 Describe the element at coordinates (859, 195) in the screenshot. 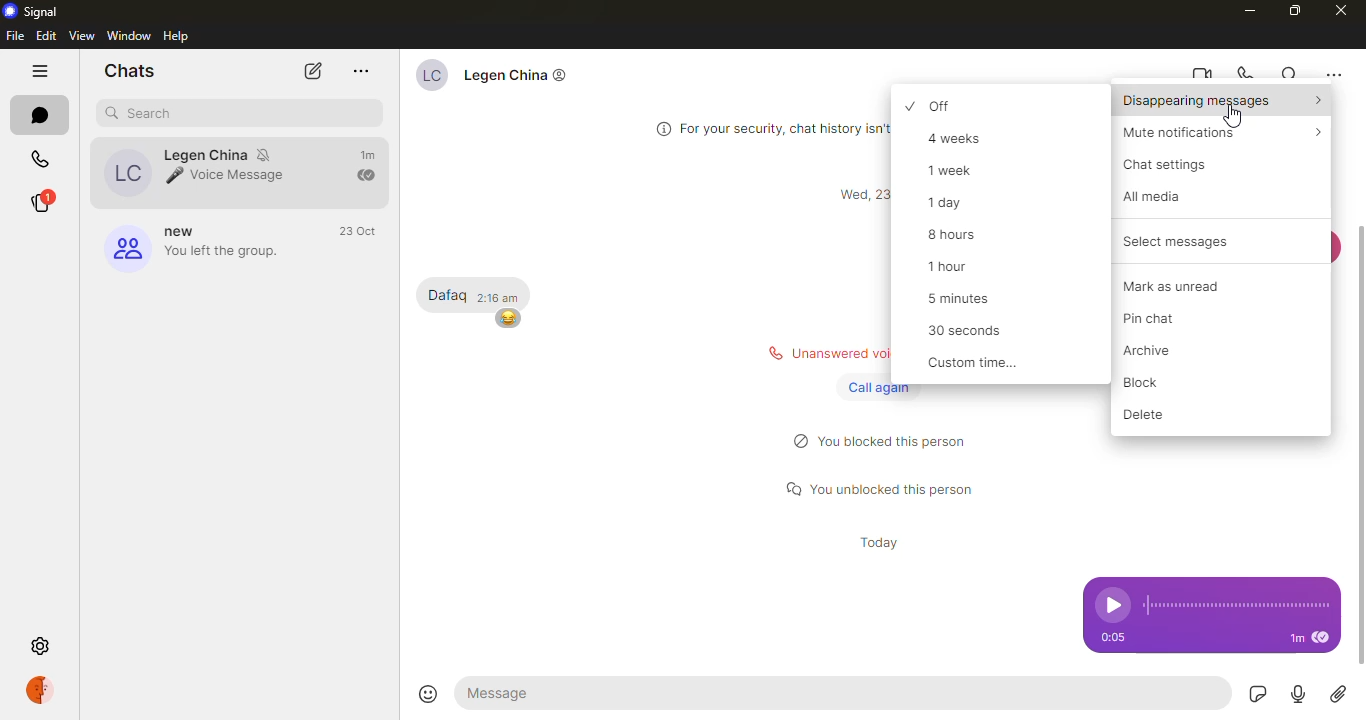

I see `time` at that location.